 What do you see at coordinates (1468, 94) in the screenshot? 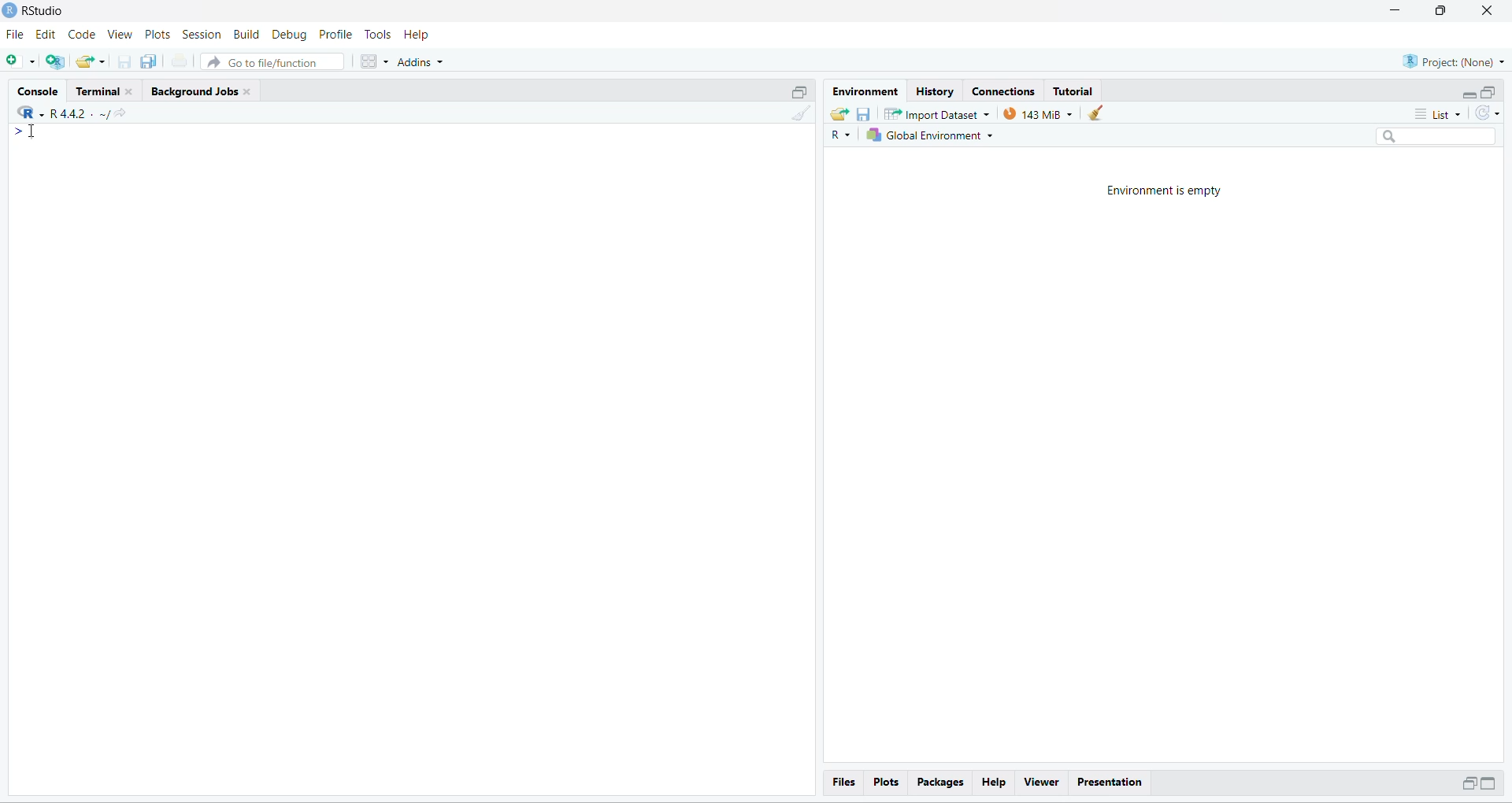
I see `Expand/collapse` at bounding box center [1468, 94].